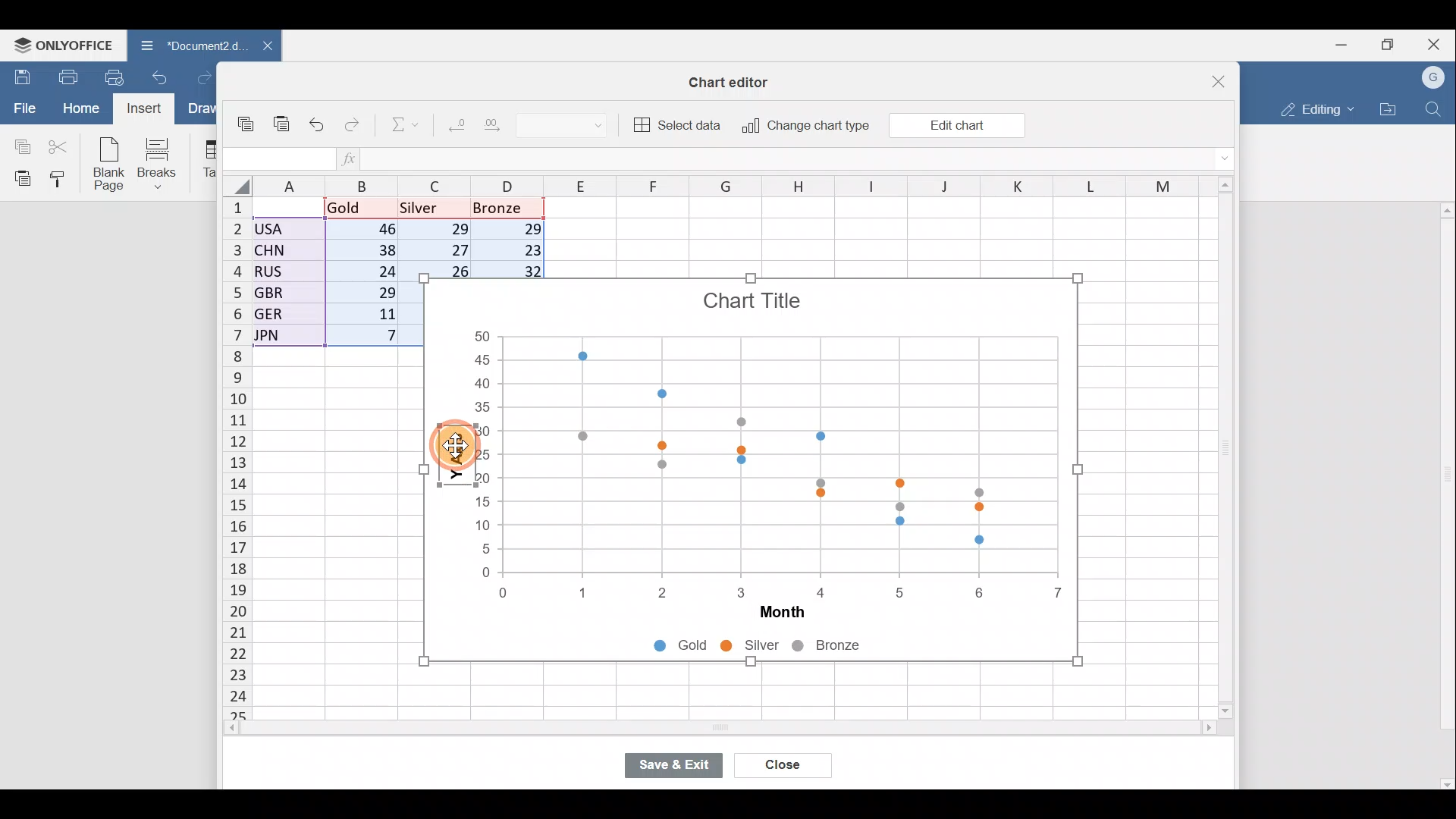 The image size is (1456, 819). What do you see at coordinates (504, 129) in the screenshot?
I see `Increase decimal` at bounding box center [504, 129].